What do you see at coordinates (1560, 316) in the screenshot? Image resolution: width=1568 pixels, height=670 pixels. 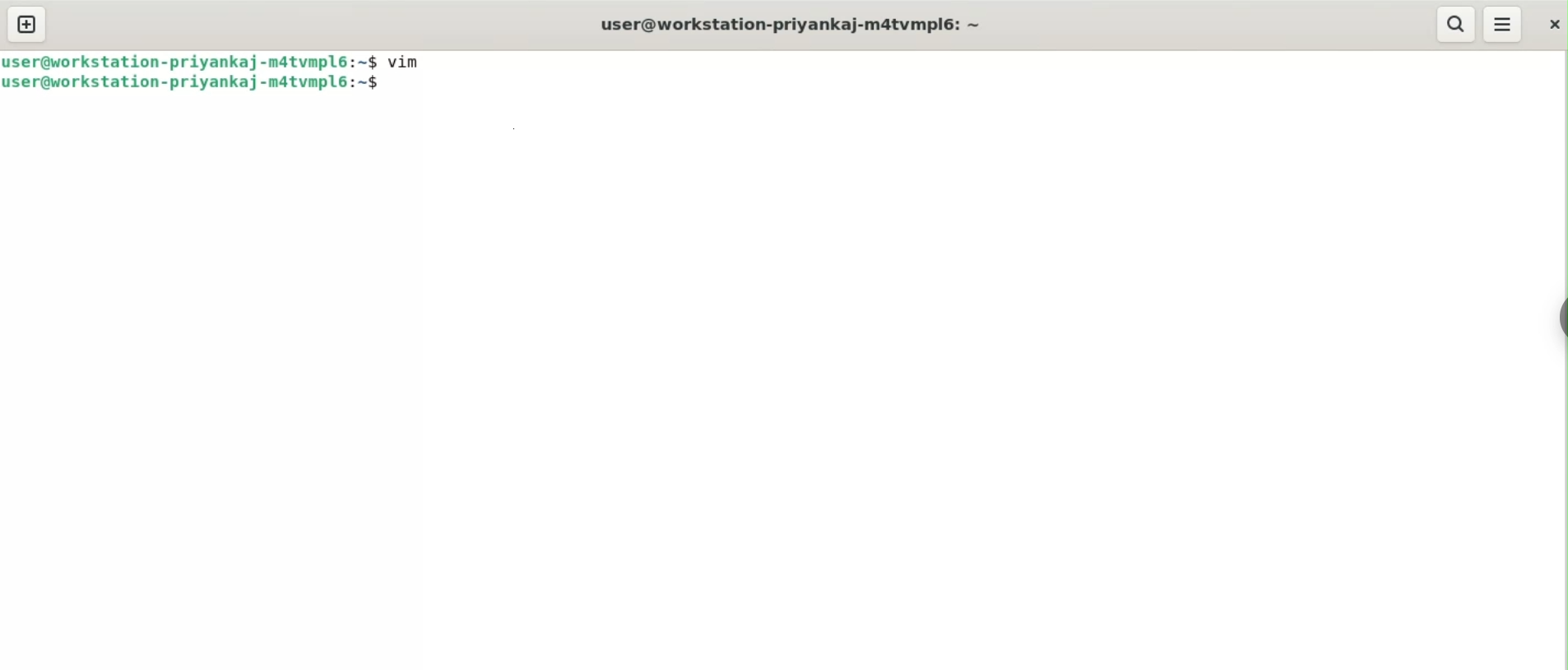 I see `sidebar` at bounding box center [1560, 316].